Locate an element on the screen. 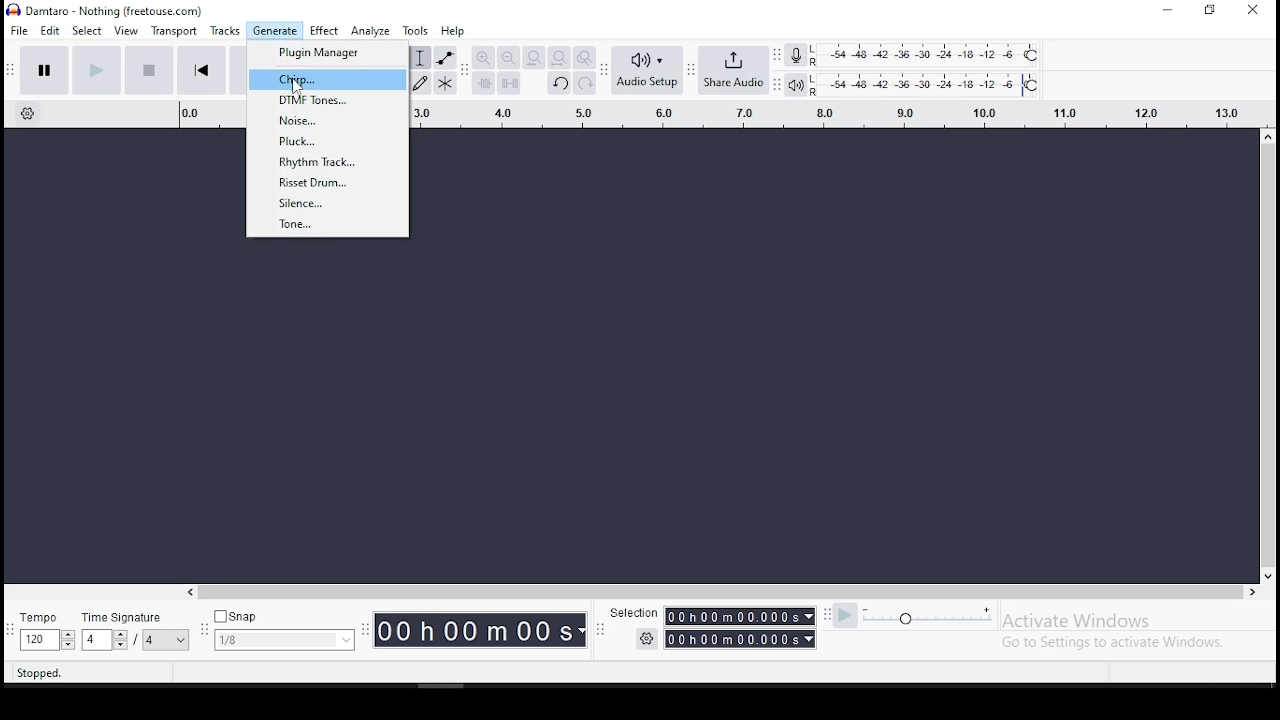  dtmf tones is located at coordinates (327, 99).